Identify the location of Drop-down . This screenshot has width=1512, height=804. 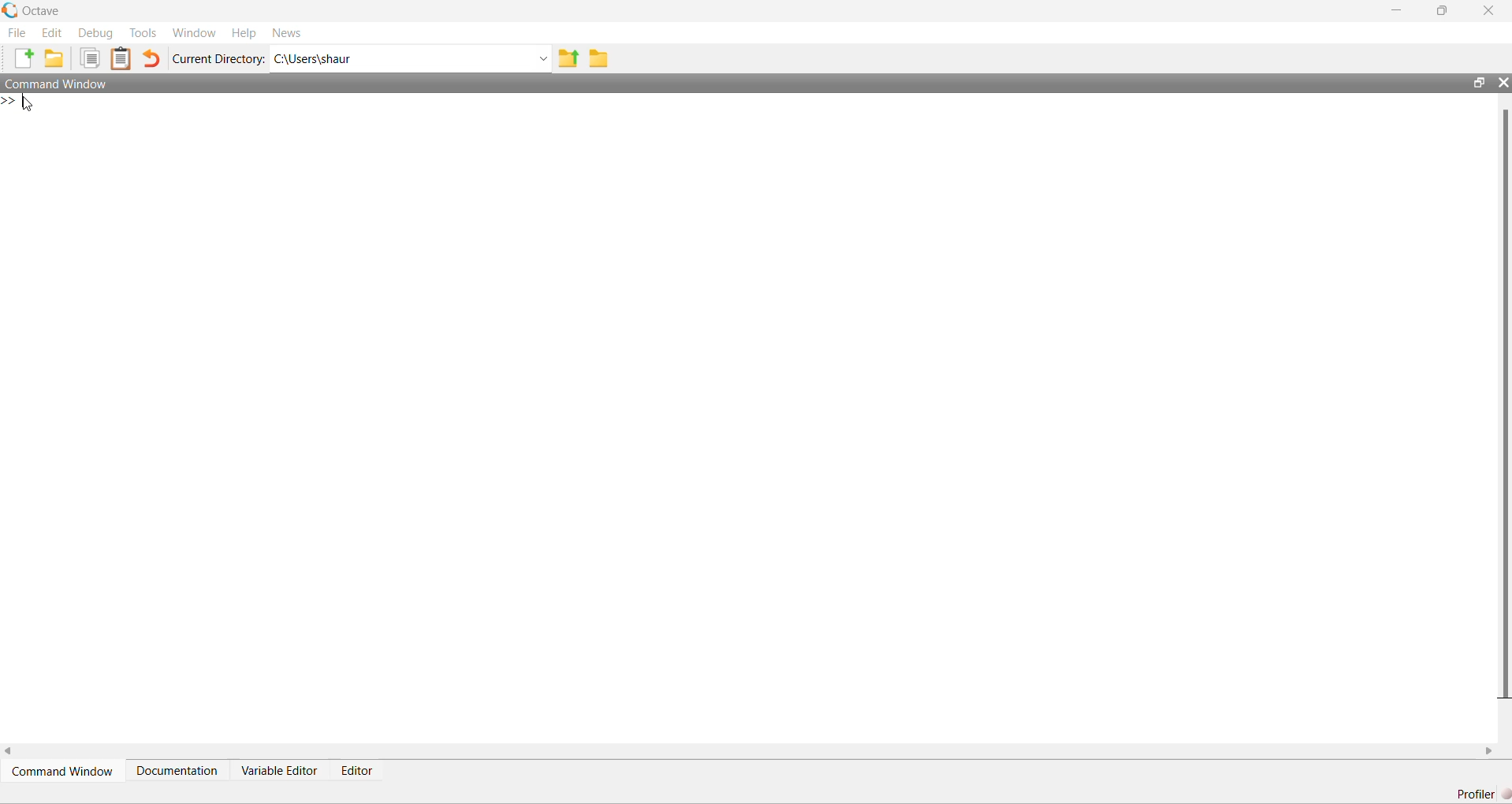
(542, 59).